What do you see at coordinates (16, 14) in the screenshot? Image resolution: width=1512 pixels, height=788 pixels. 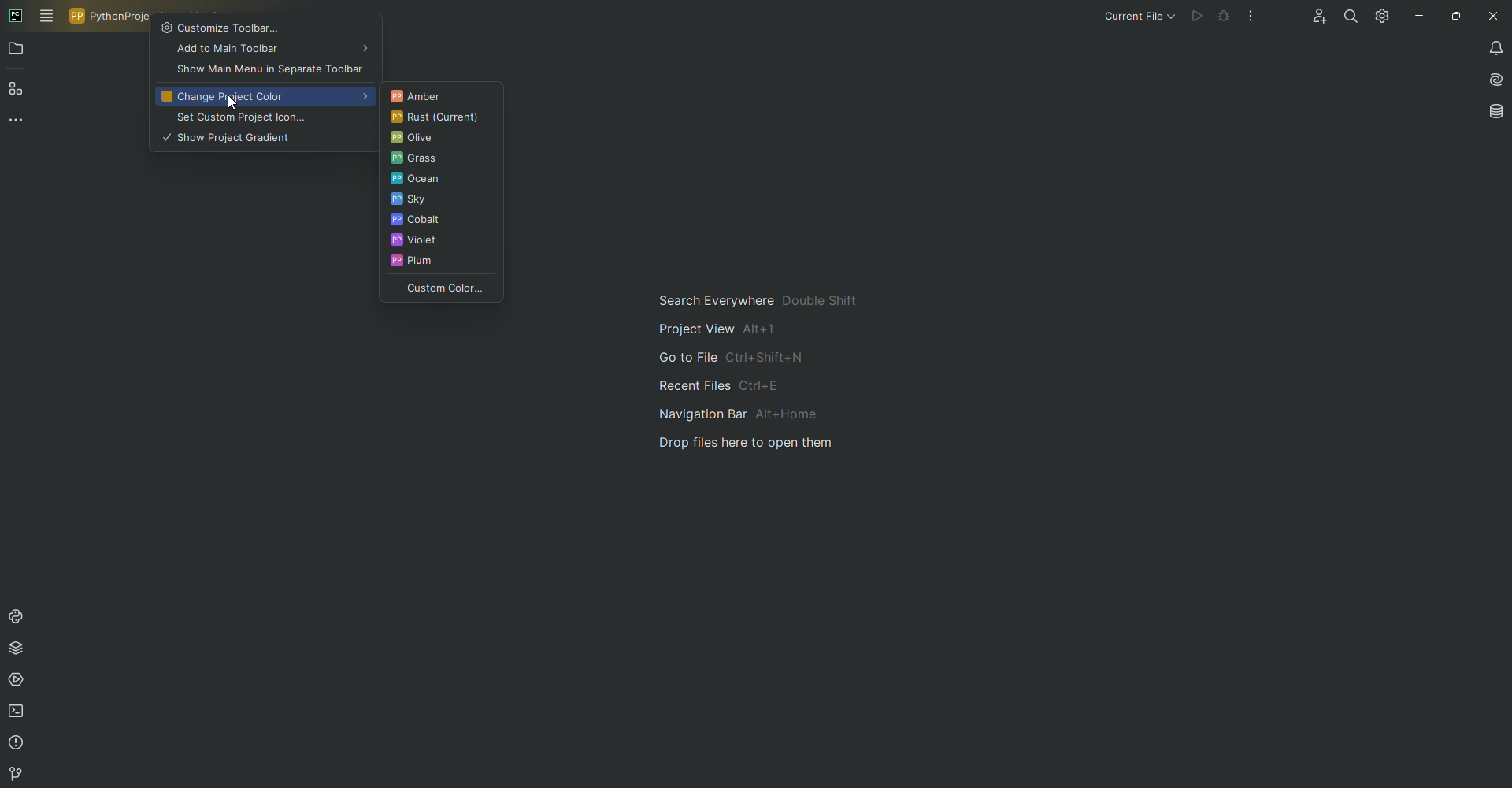 I see `PyCharm` at bounding box center [16, 14].